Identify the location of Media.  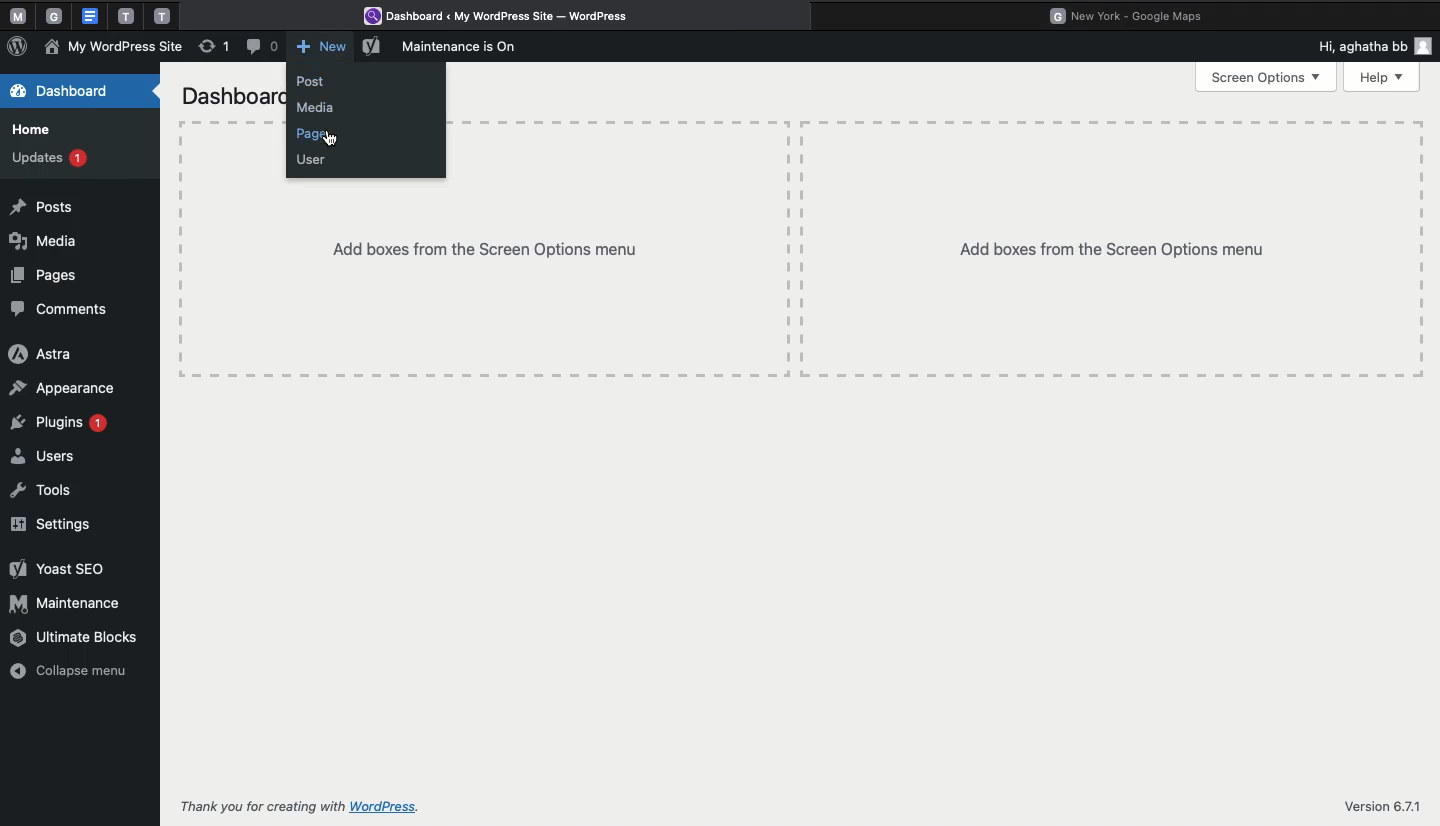
(318, 108).